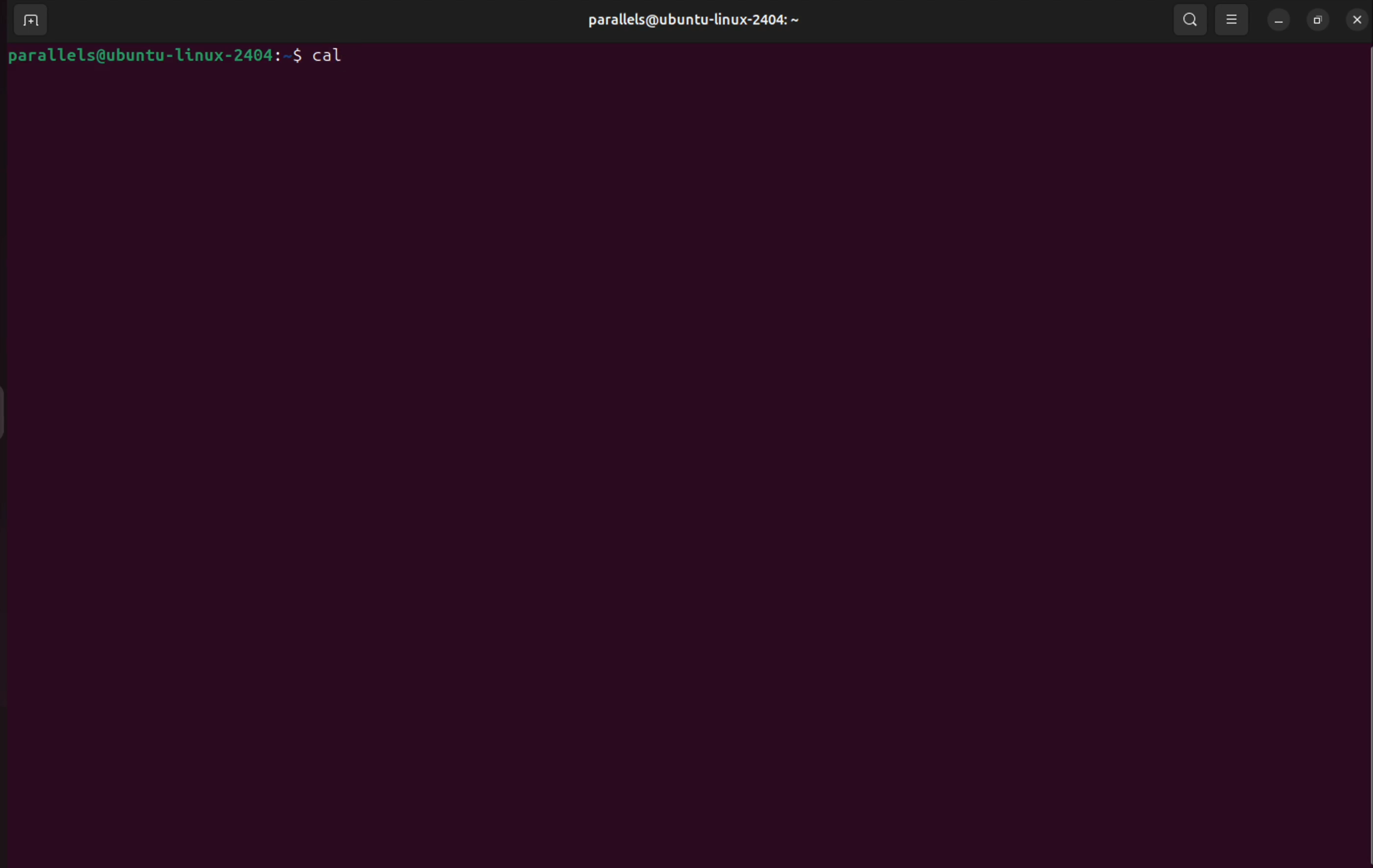 This screenshot has width=1373, height=868. What do you see at coordinates (153, 58) in the screenshot?
I see `prarallels@ubuntu-1linux-2404:-$` at bounding box center [153, 58].